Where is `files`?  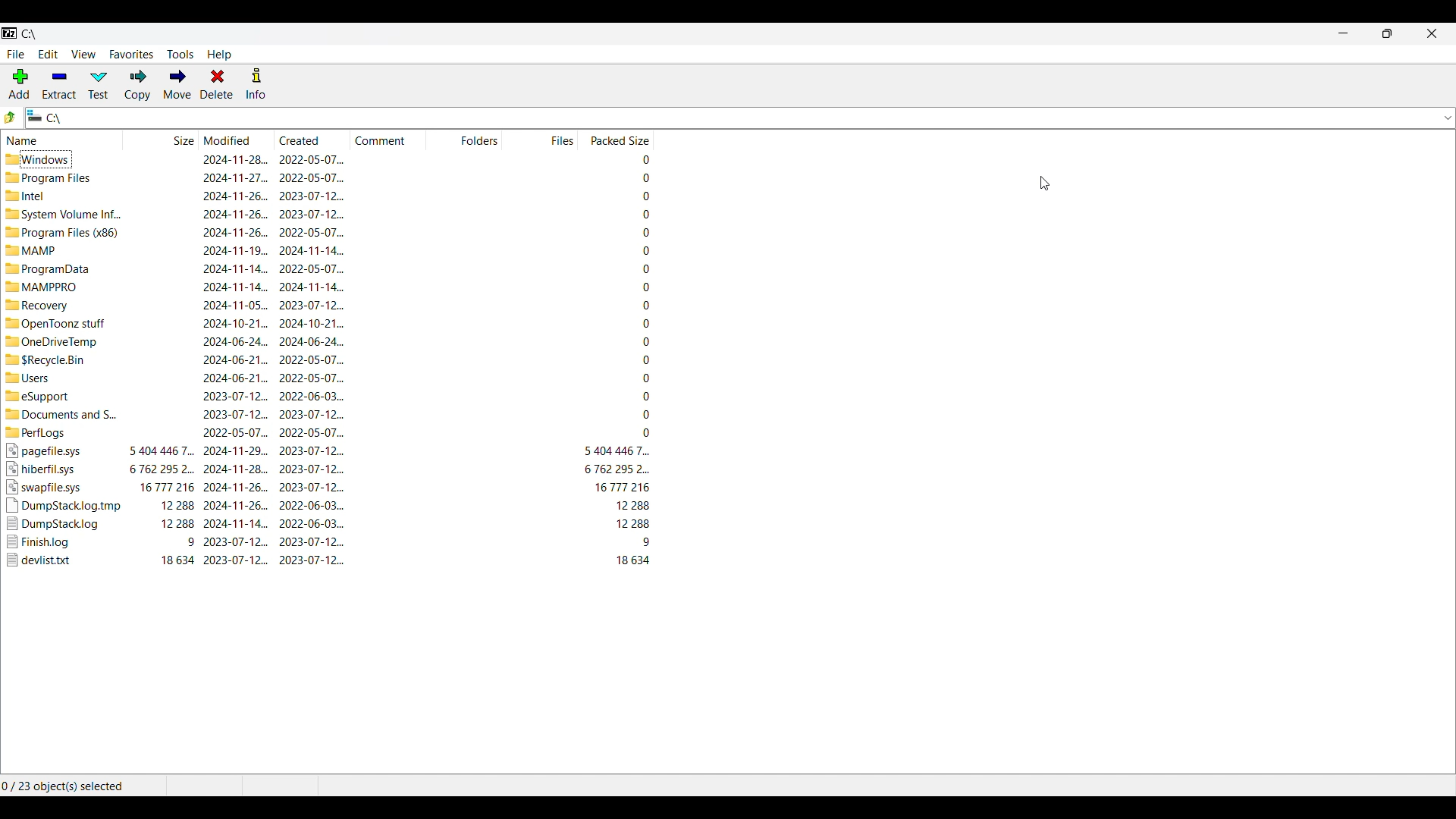
files is located at coordinates (62, 505).